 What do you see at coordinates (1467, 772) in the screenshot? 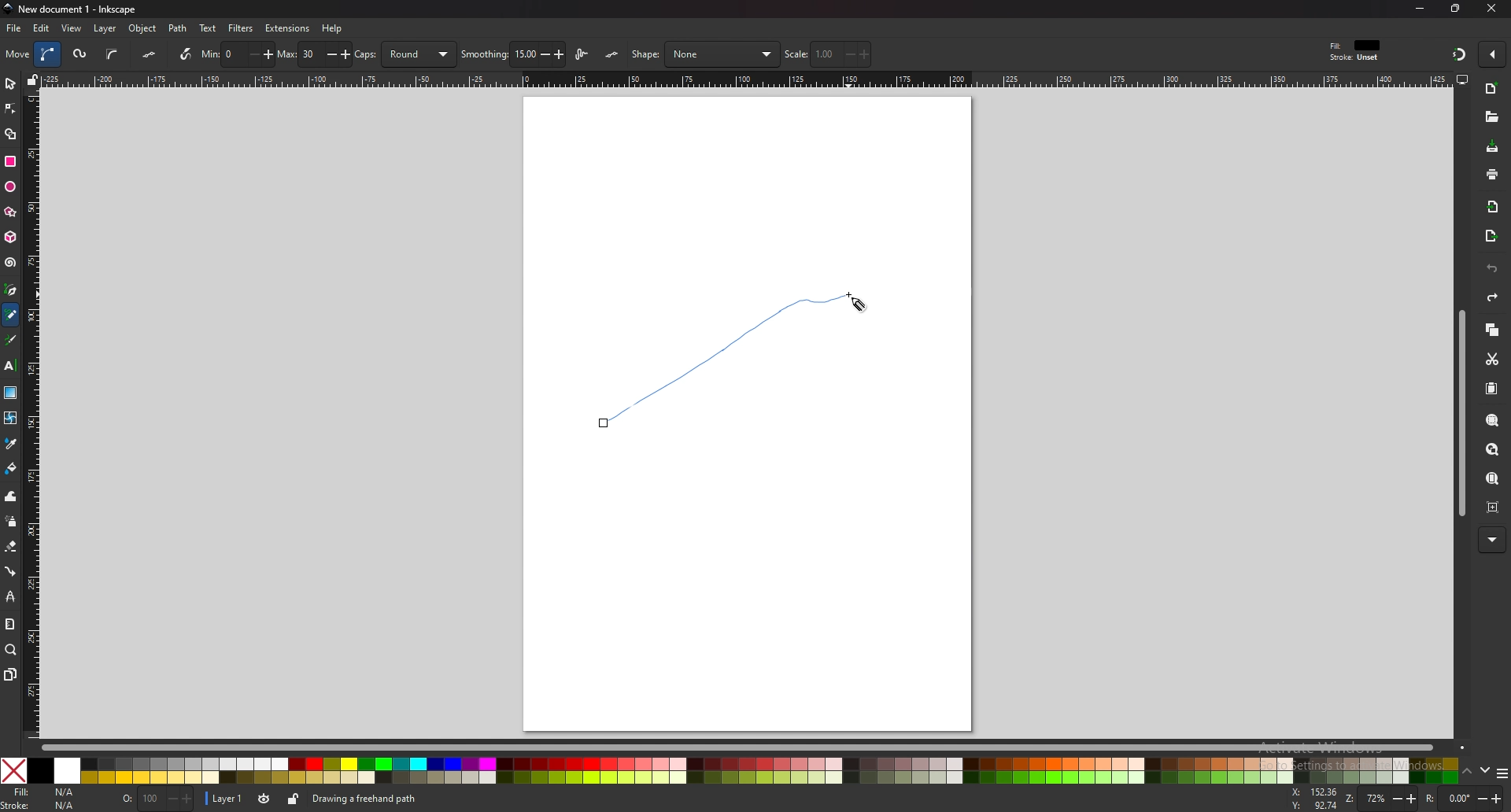
I see `up` at bounding box center [1467, 772].